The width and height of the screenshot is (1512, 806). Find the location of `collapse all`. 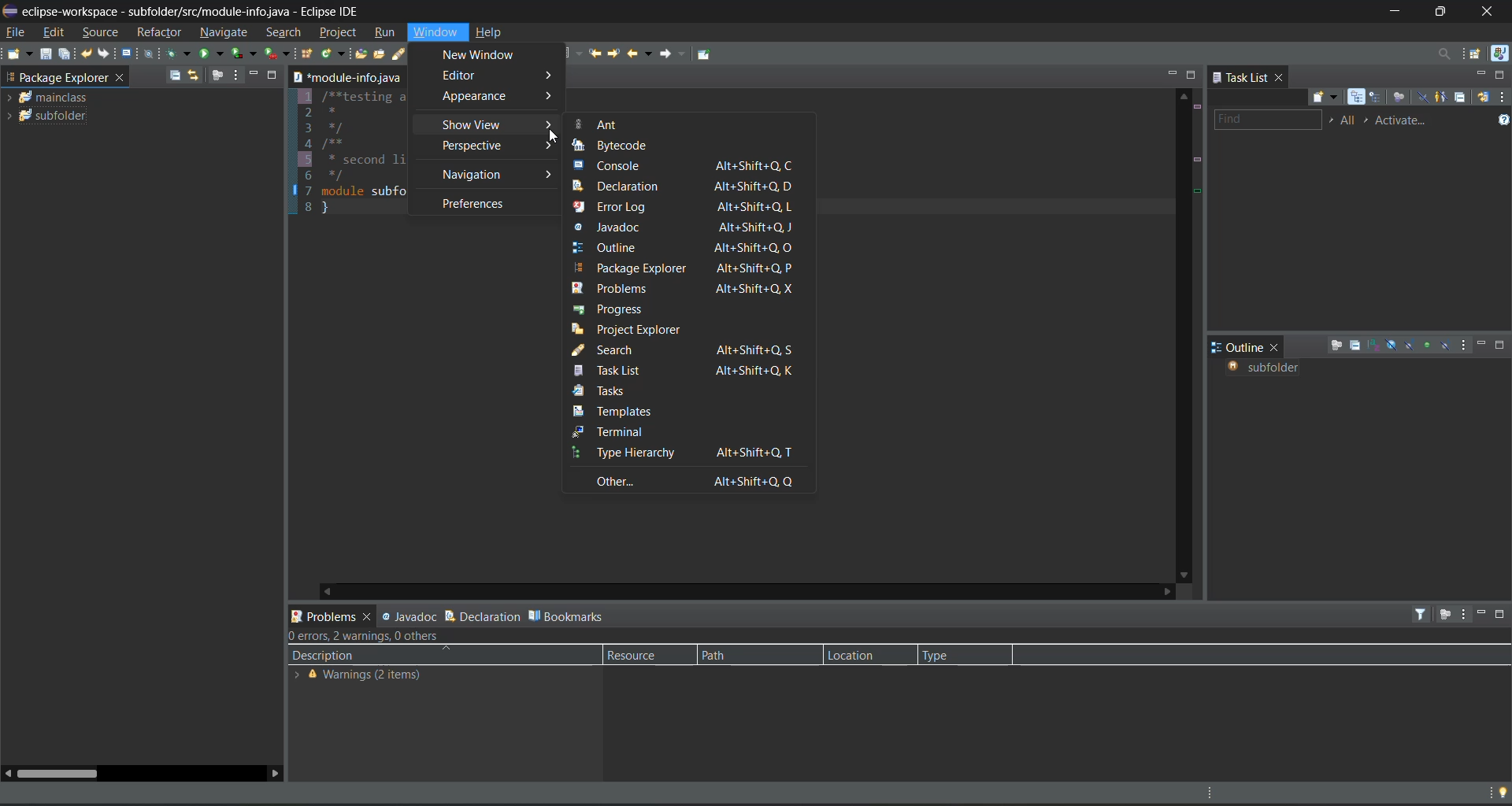

collapse all is located at coordinates (176, 74).